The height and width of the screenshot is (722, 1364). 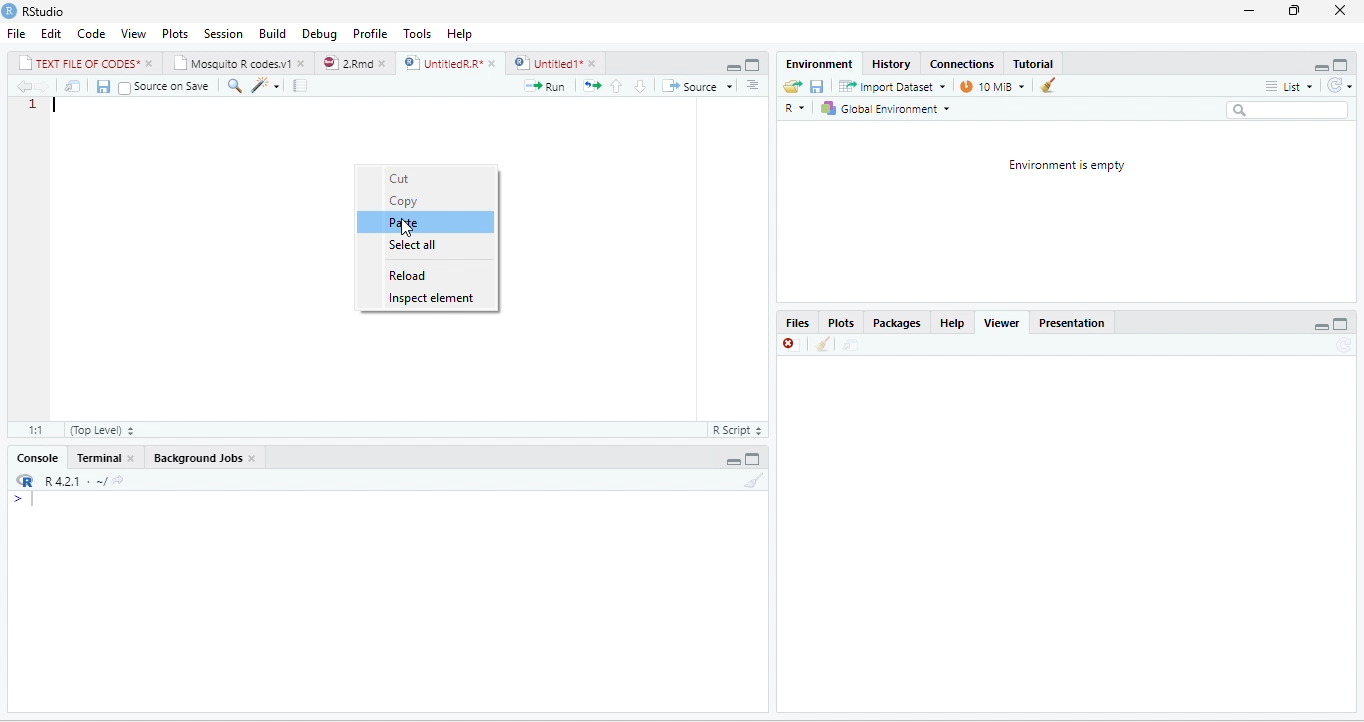 What do you see at coordinates (90, 32) in the screenshot?
I see `Code` at bounding box center [90, 32].